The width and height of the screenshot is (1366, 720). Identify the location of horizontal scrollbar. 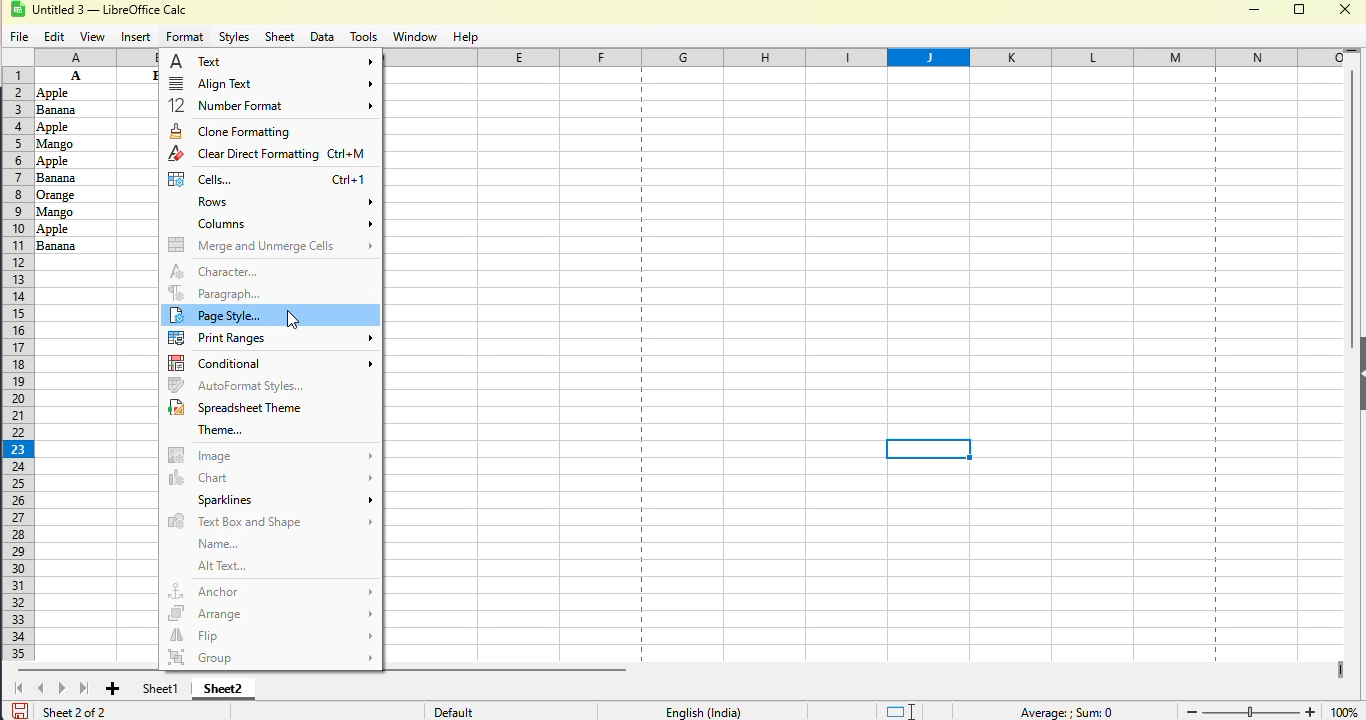
(321, 670).